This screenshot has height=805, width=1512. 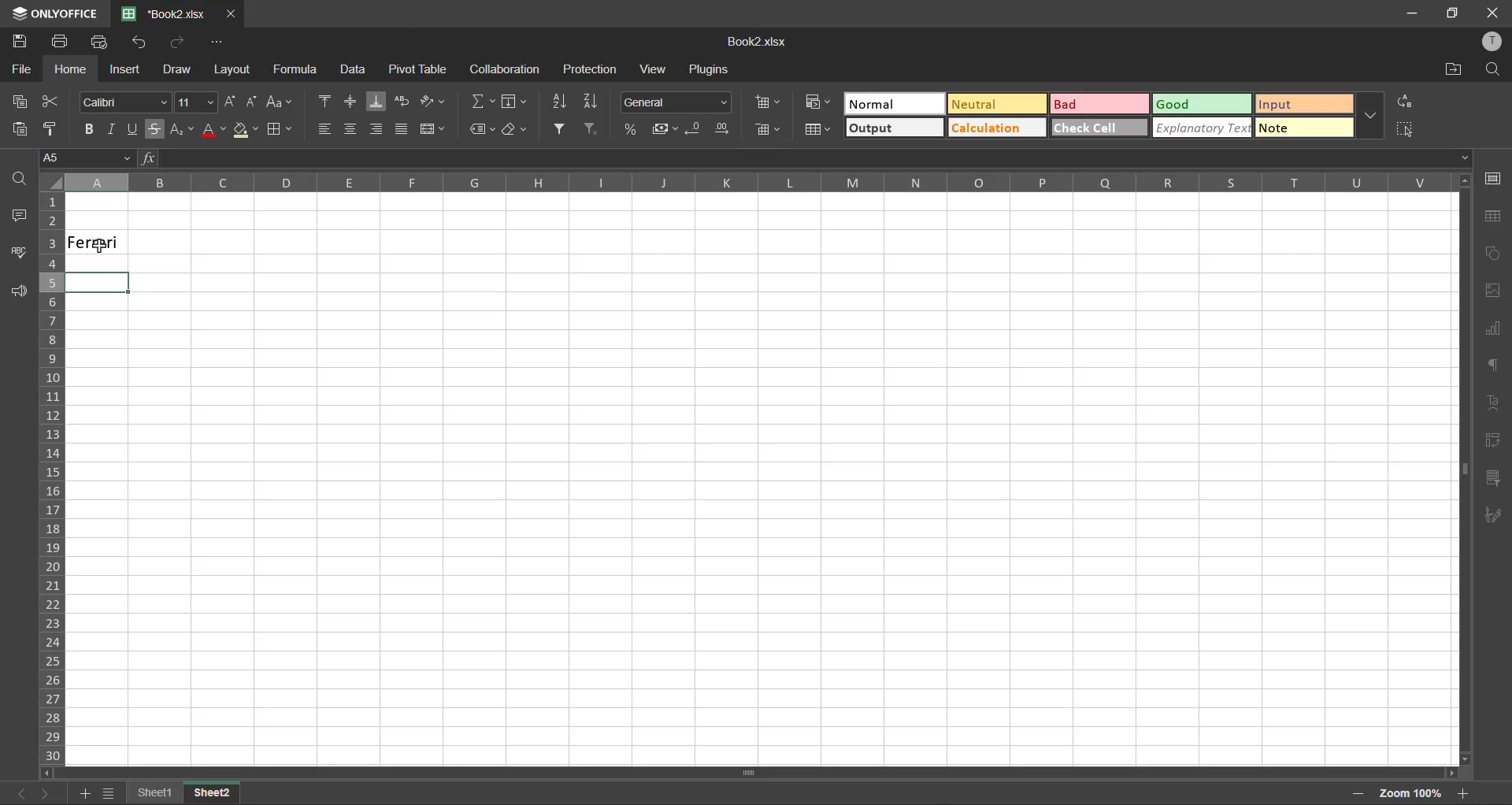 I want to click on italic, so click(x=113, y=129).